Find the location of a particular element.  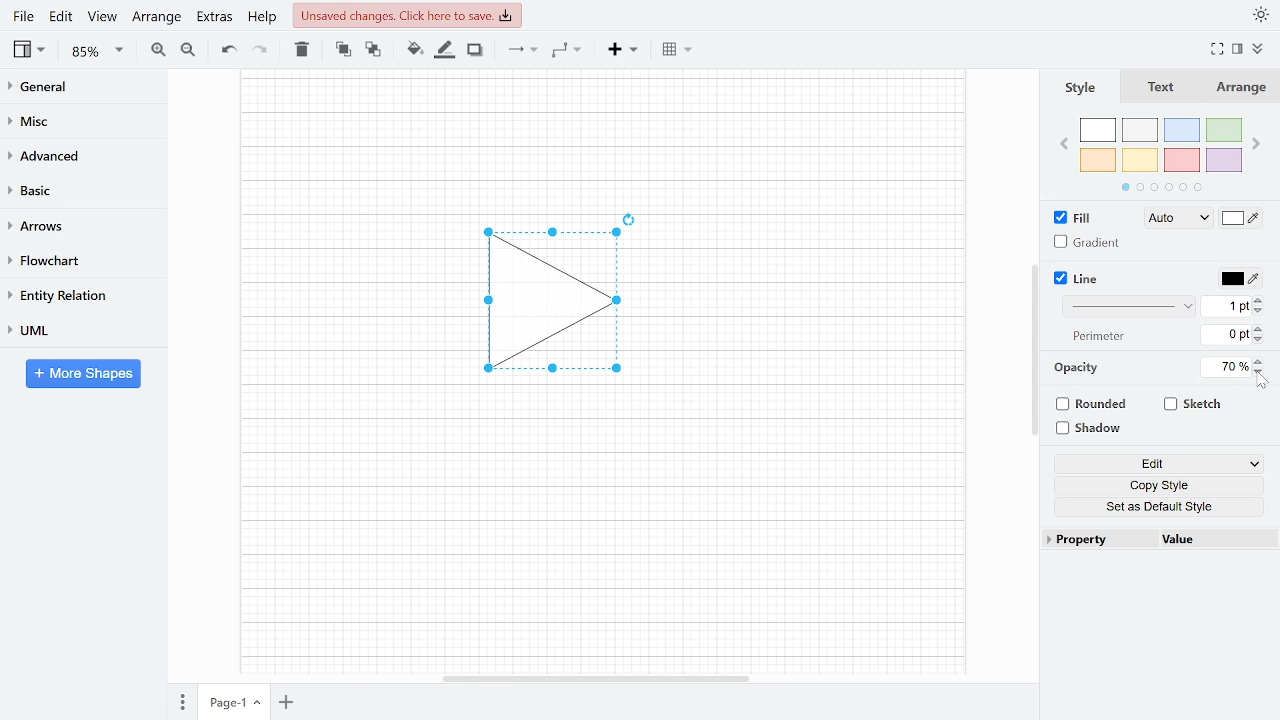

MIsc is located at coordinates (75, 120).